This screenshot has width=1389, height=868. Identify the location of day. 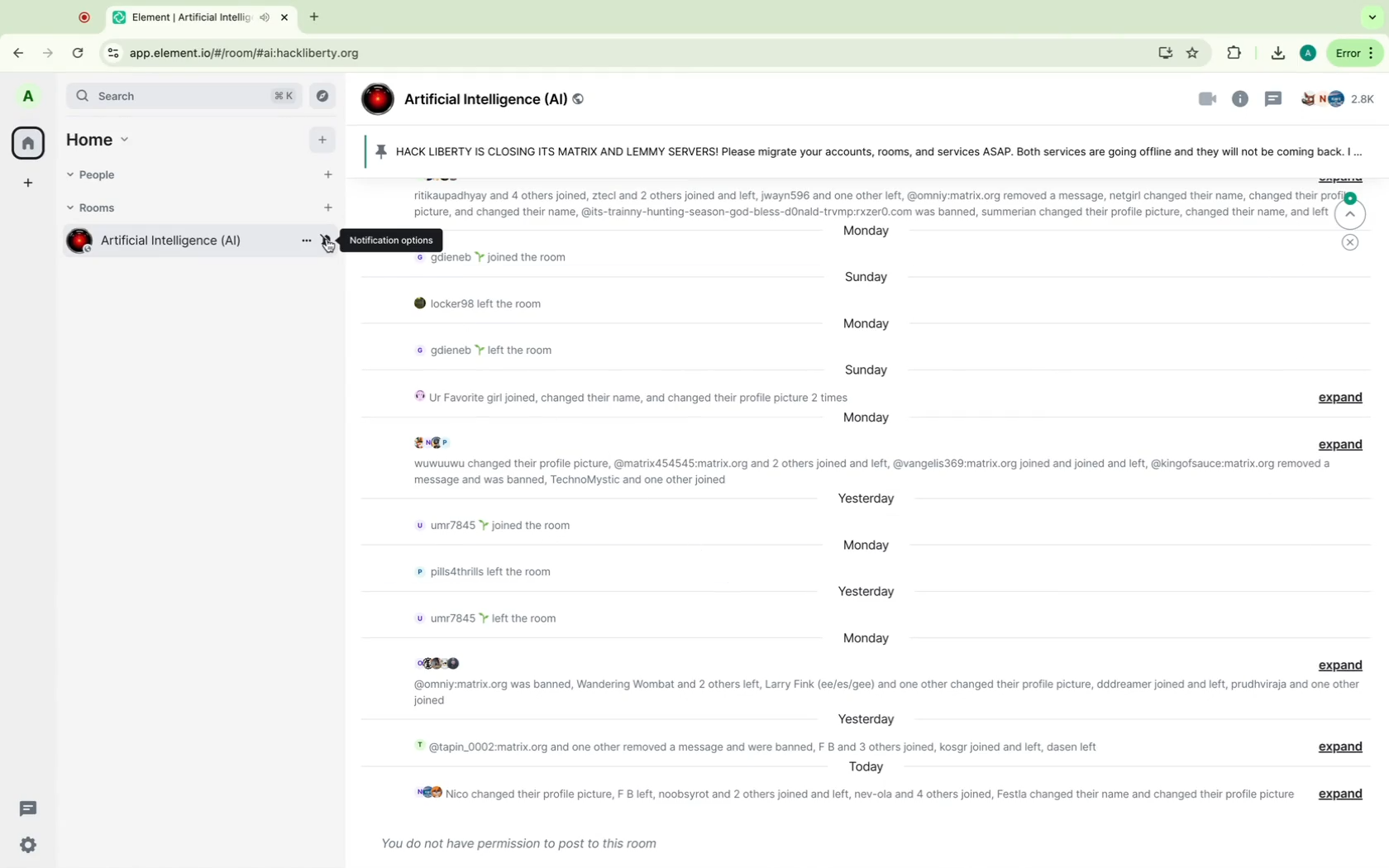
(864, 368).